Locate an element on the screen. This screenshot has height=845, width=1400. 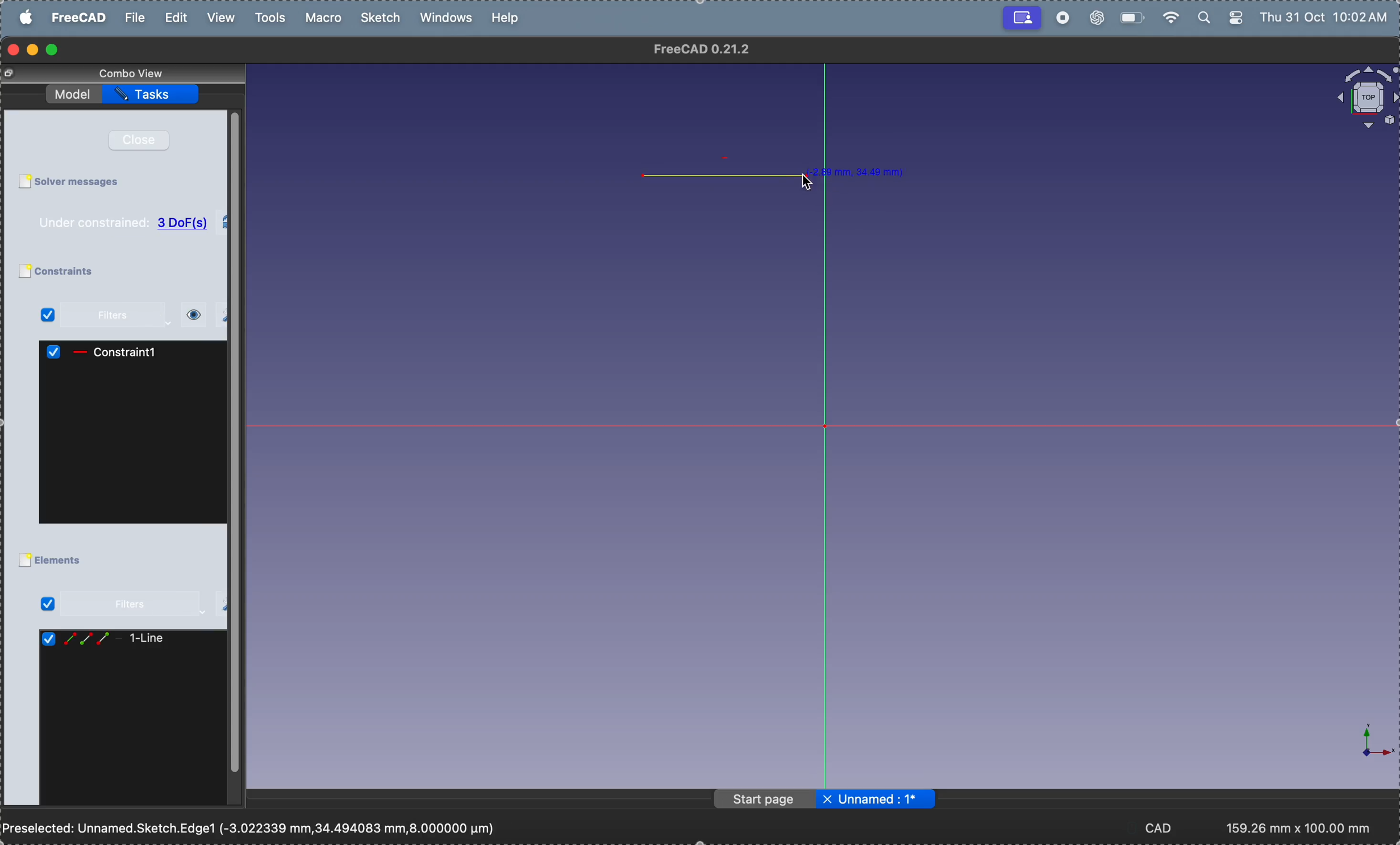
apple menu is located at coordinates (27, 17).